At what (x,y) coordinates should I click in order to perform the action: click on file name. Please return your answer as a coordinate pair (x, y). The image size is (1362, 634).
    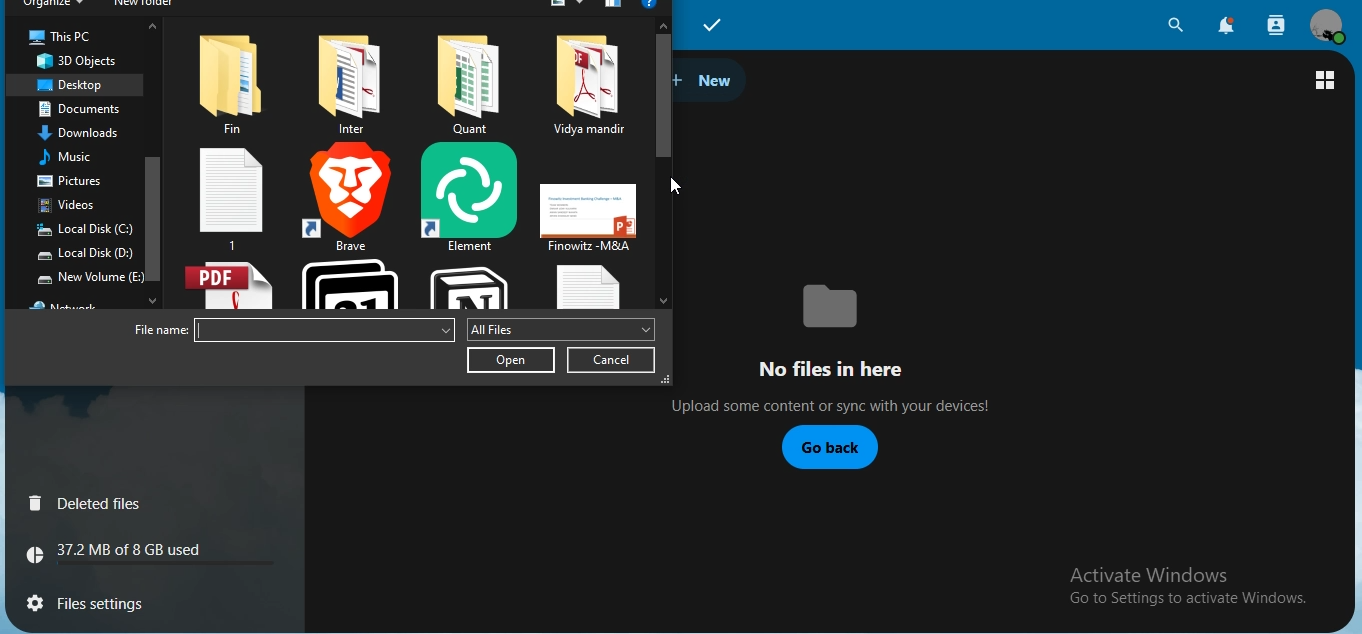
    Looking at the image, I should click on (155, 332).